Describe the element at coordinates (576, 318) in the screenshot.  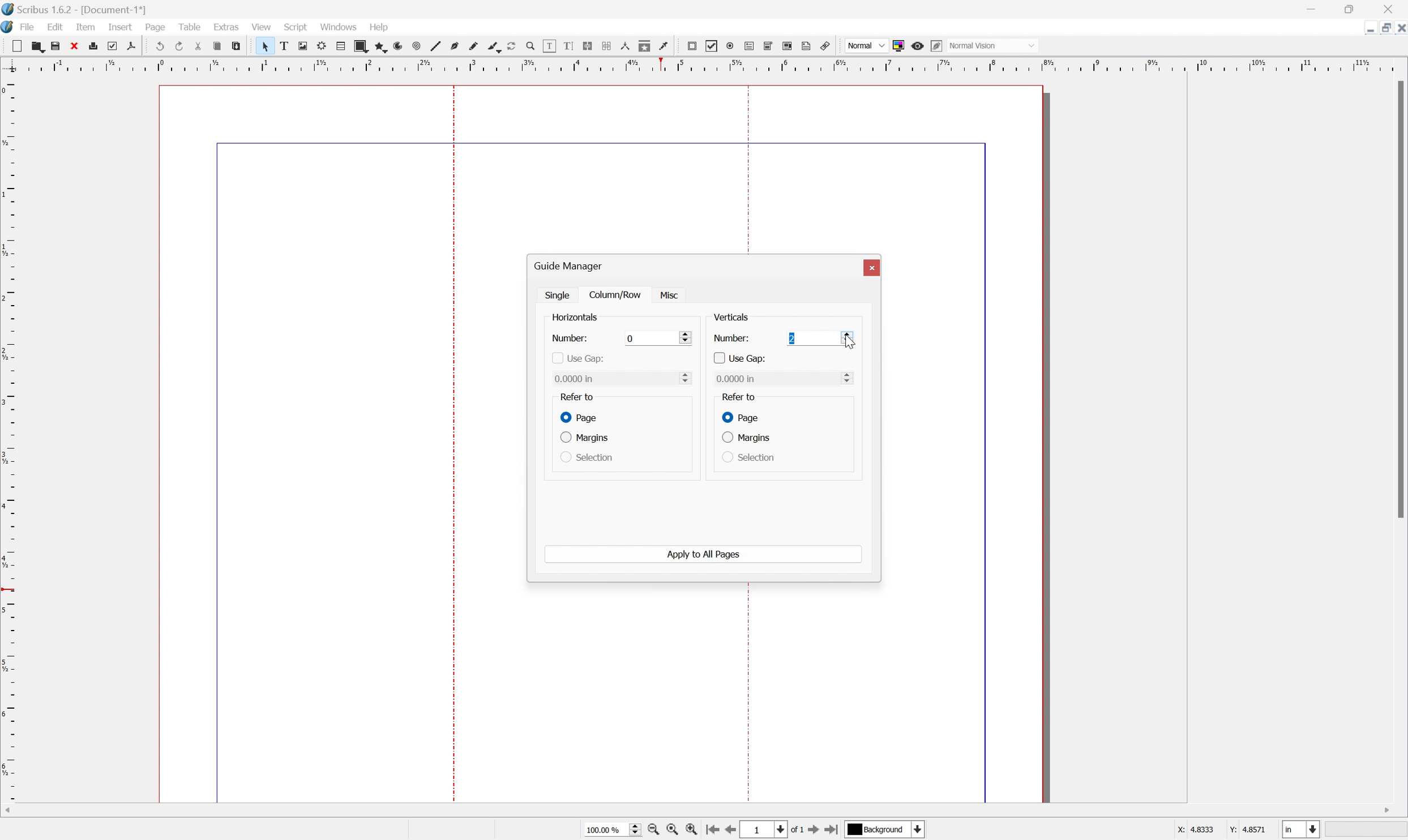
I see `horizontals` at that location.